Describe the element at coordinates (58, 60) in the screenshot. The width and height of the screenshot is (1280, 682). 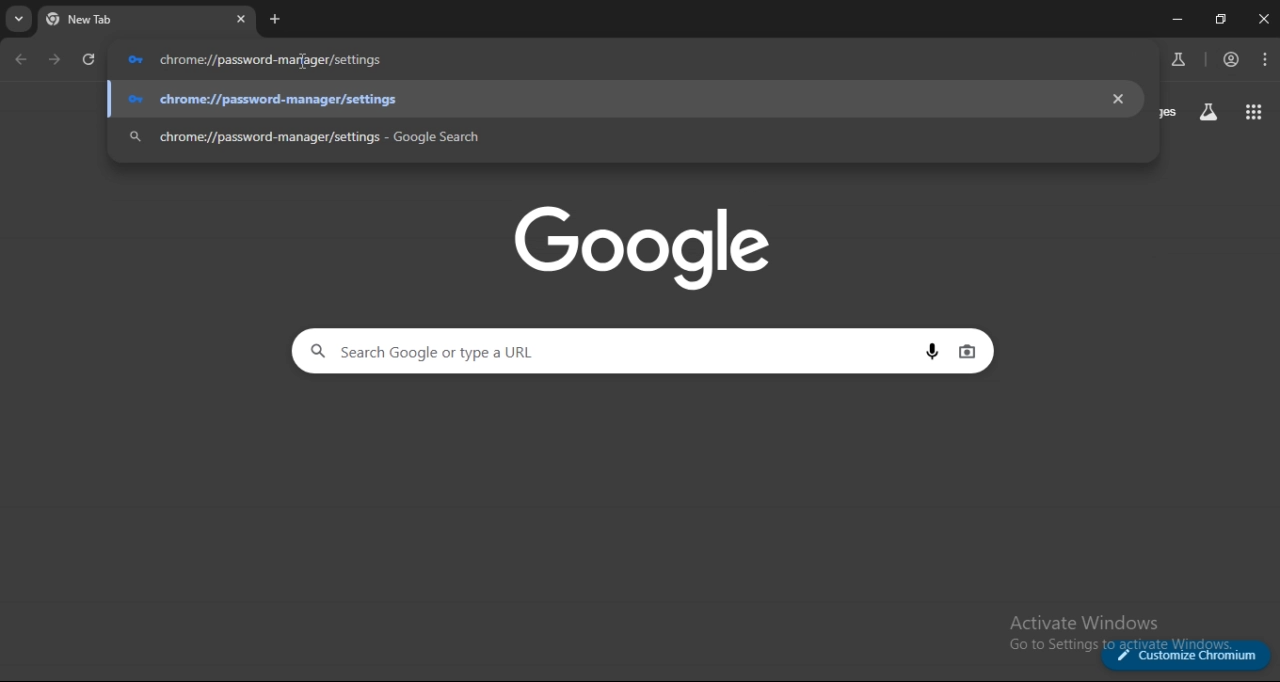
I see `go forward one page` at that location.